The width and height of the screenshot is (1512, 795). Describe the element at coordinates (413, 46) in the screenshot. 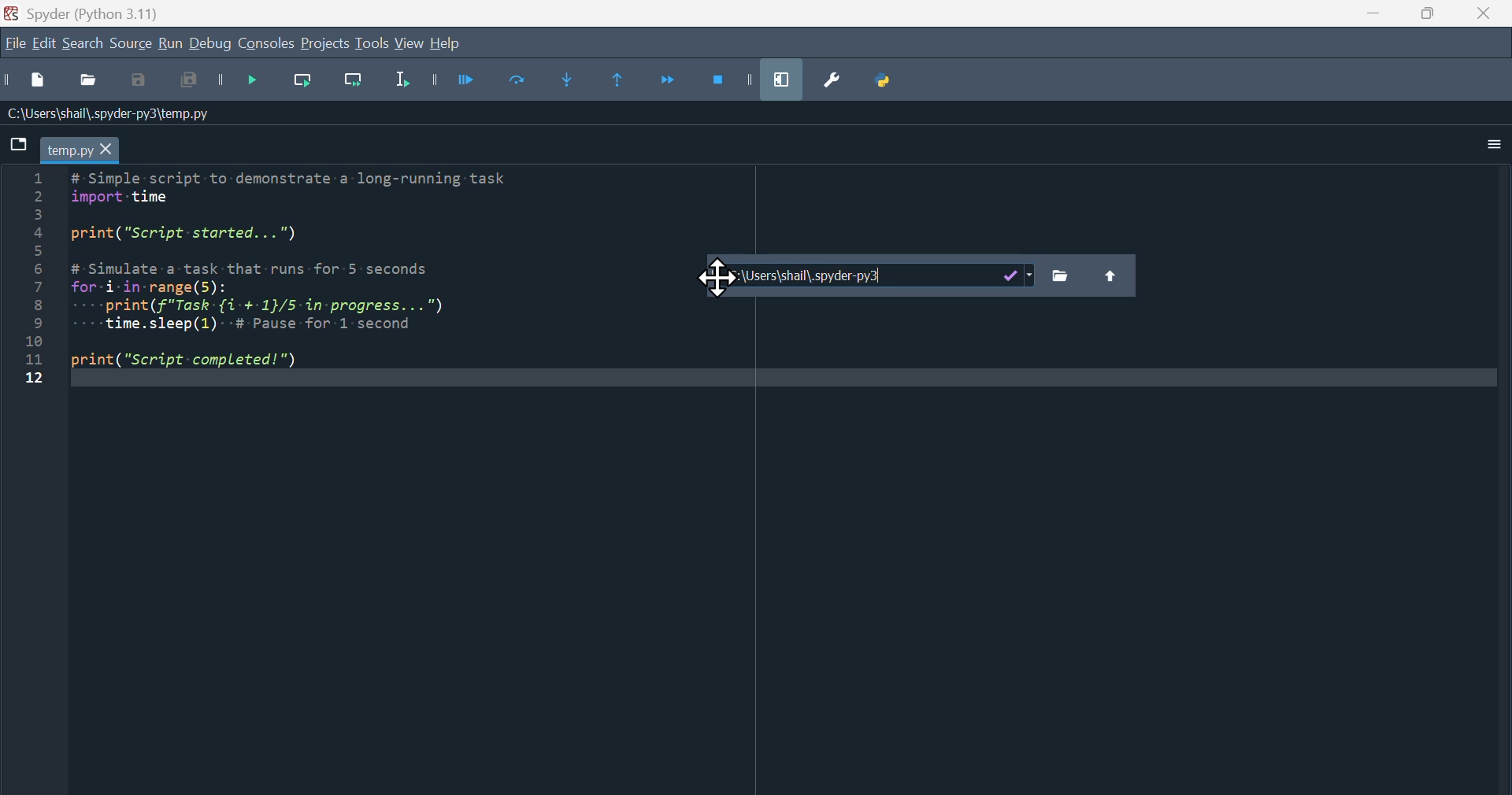

I see `View` at that location.